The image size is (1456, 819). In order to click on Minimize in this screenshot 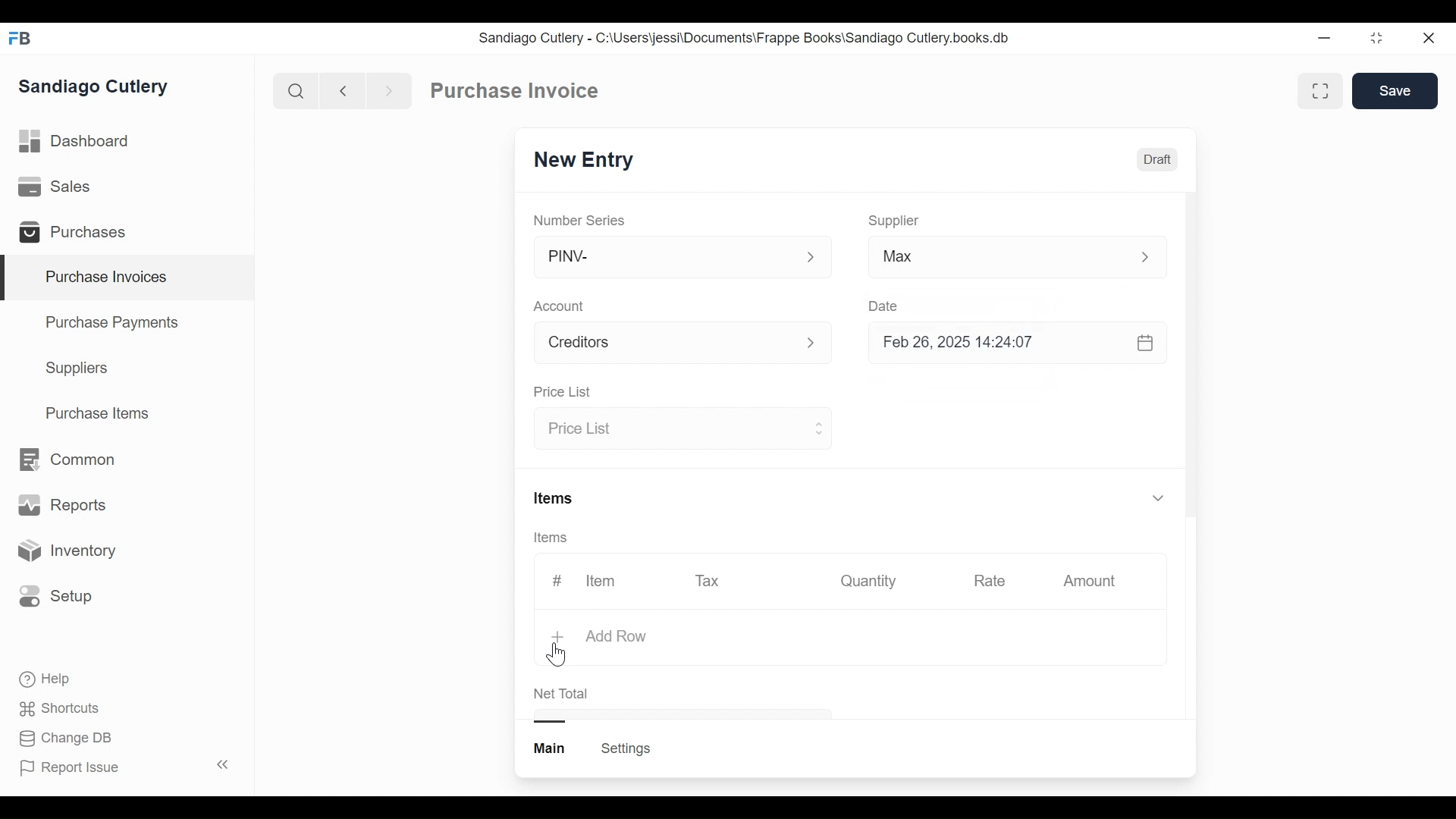, I will do `click(1321, 39)`.